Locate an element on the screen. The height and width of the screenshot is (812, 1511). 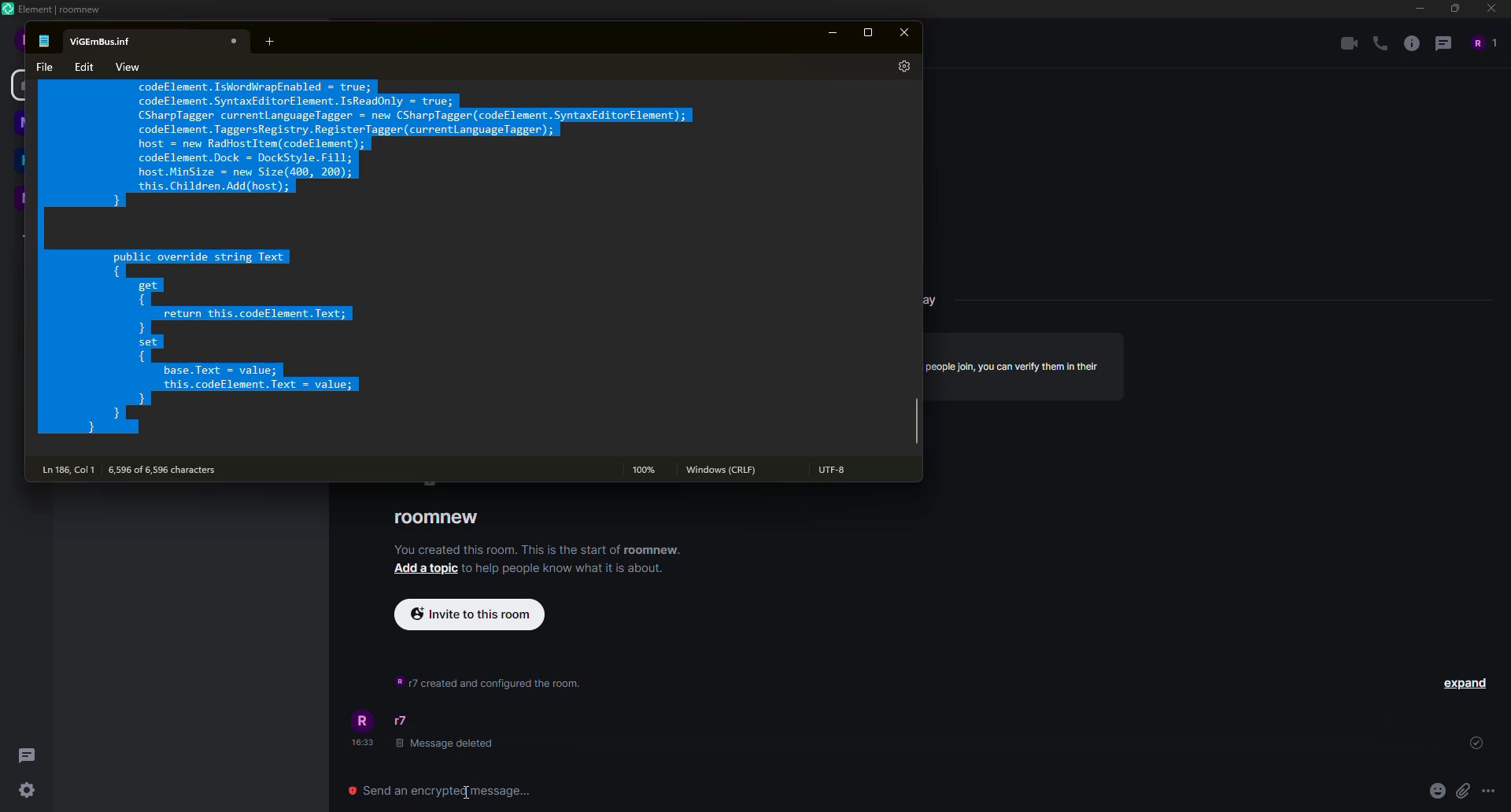
quick settings is located at coordinates (28, 792).